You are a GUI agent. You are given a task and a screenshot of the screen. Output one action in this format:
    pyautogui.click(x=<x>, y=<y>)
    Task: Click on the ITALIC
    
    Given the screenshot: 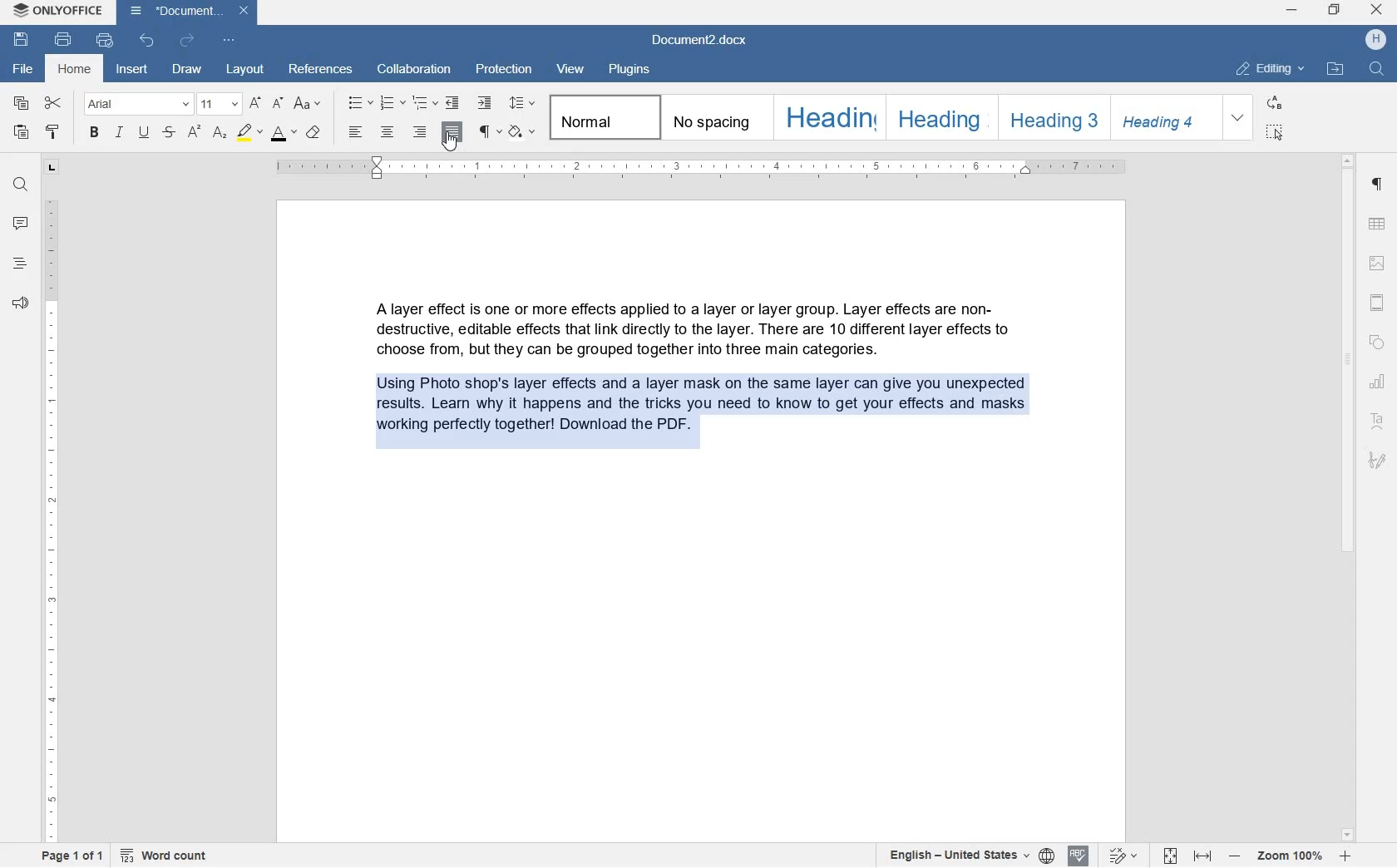 What is the action you would take?
    pyautogui.click(x=118, y=134)
    